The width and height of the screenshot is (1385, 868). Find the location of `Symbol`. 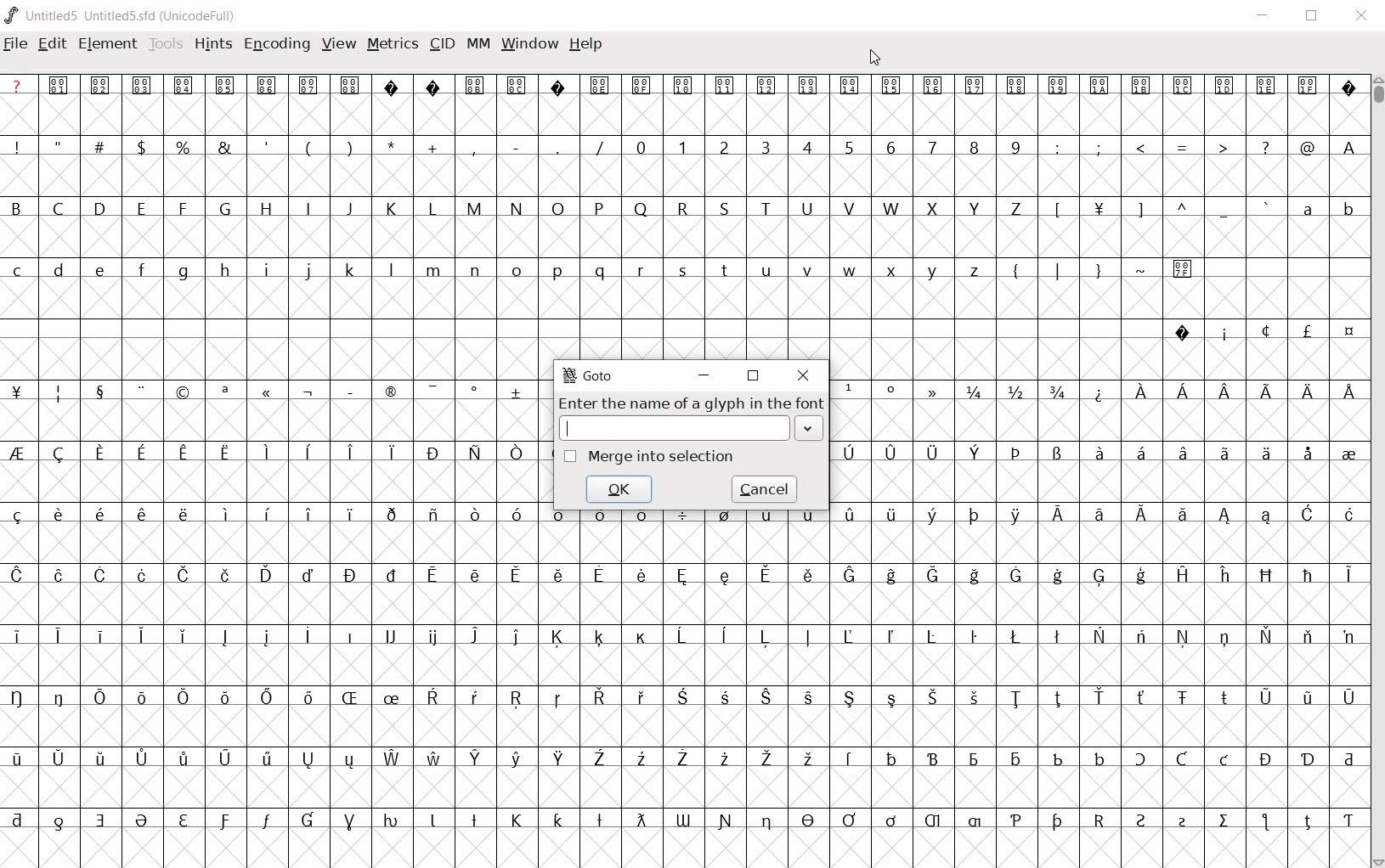

Symbol is located at coordinates (266, 823).